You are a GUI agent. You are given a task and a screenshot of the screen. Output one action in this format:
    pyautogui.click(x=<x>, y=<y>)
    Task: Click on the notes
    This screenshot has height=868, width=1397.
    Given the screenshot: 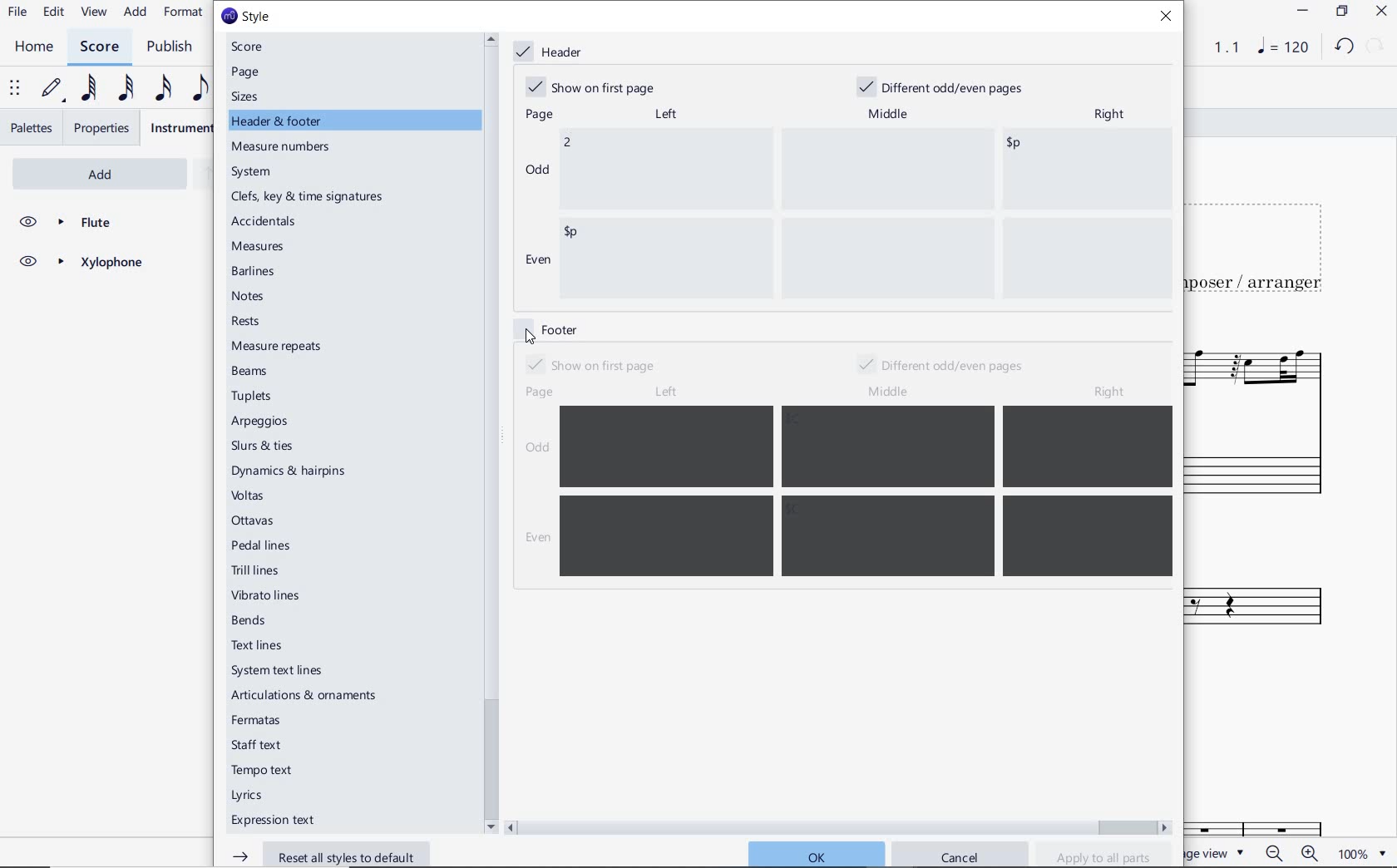 What is the action you would take?
    pyautogui.click(x=249, y=296)
    